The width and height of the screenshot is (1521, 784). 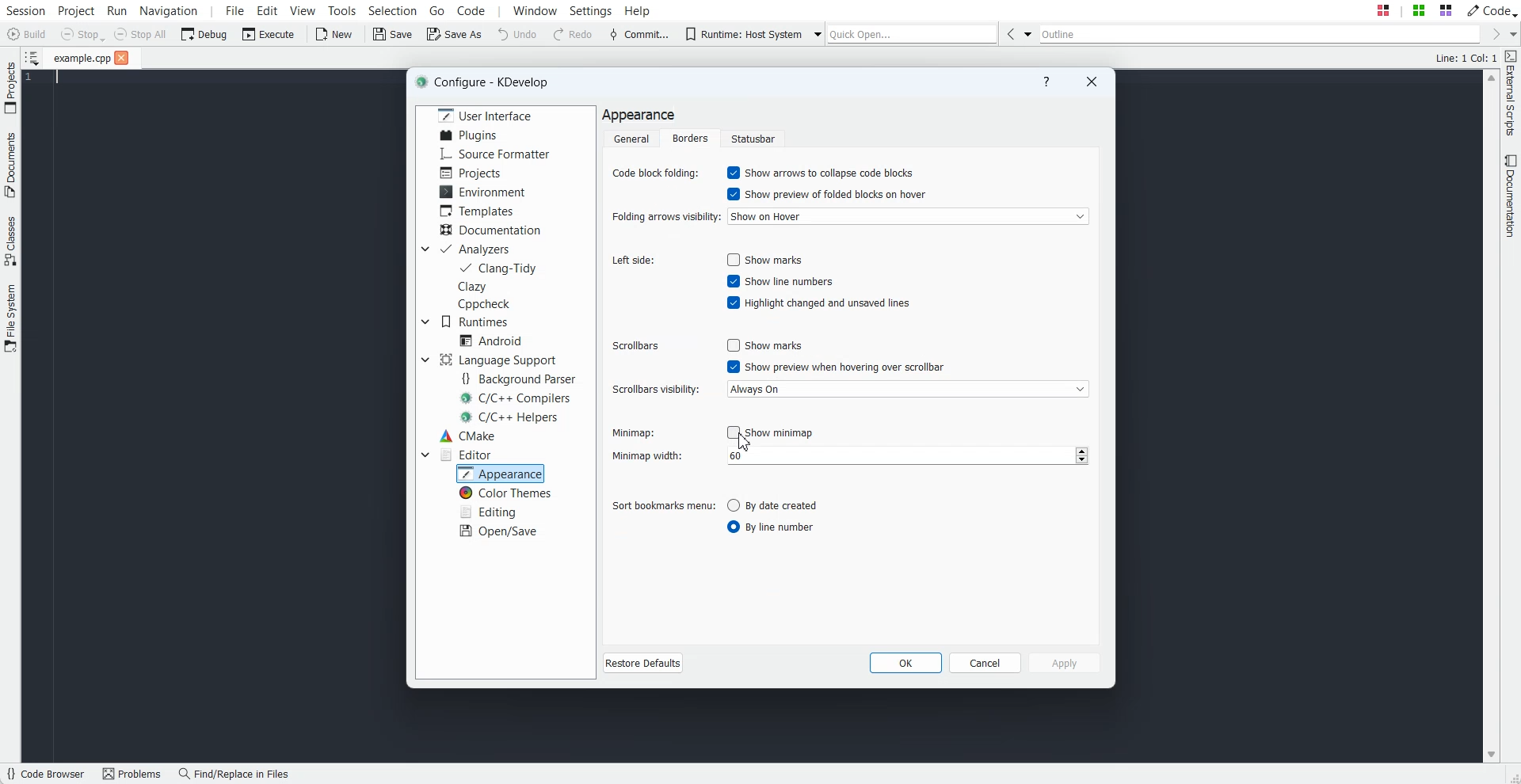 I want to click on number input field, so click(x=906, y=456).